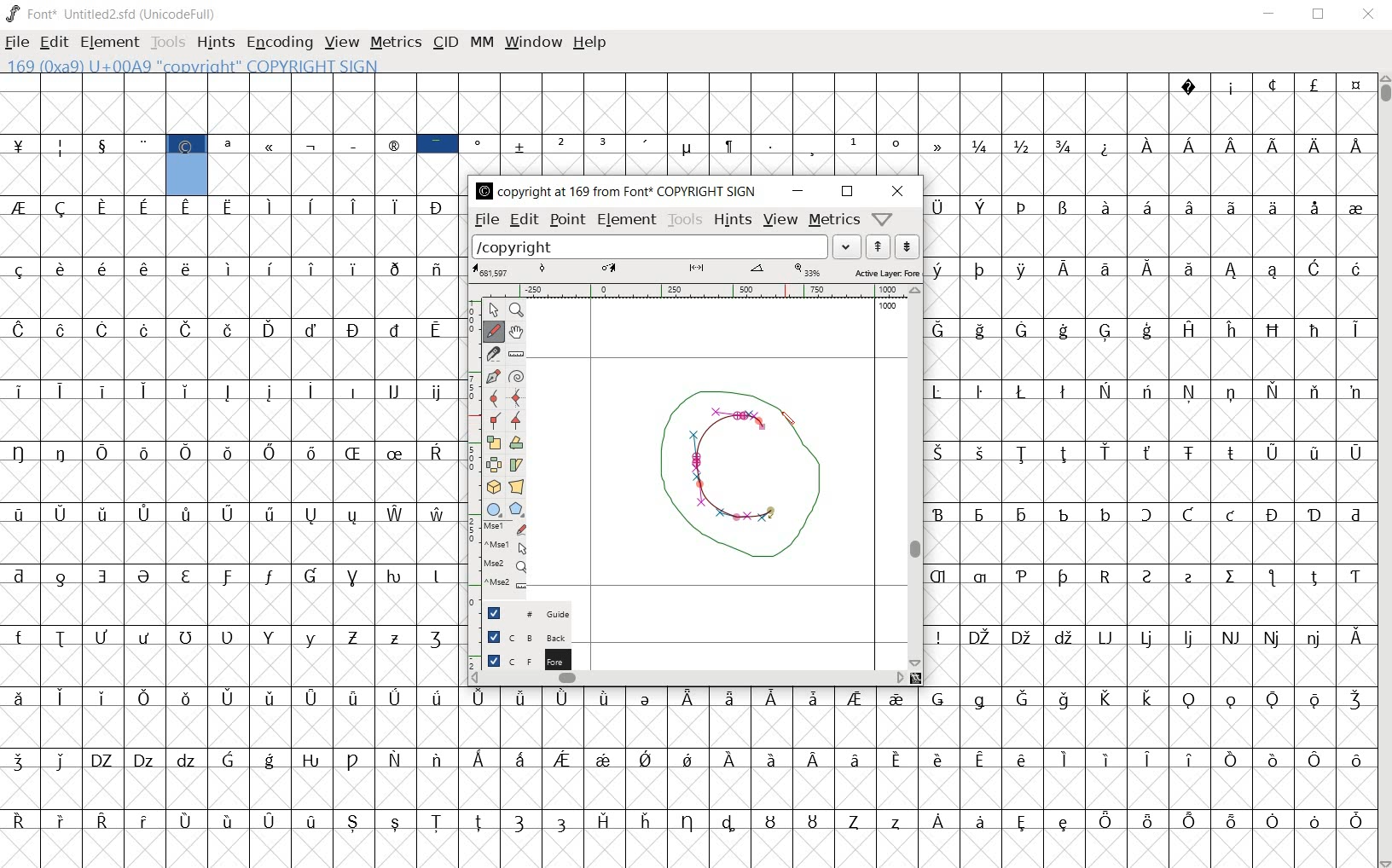 This screenshot has height=868, width=1392. What do you see at coordinates (902, 190) in the screenshot?
I see `close` at bounding box center [902, 190].